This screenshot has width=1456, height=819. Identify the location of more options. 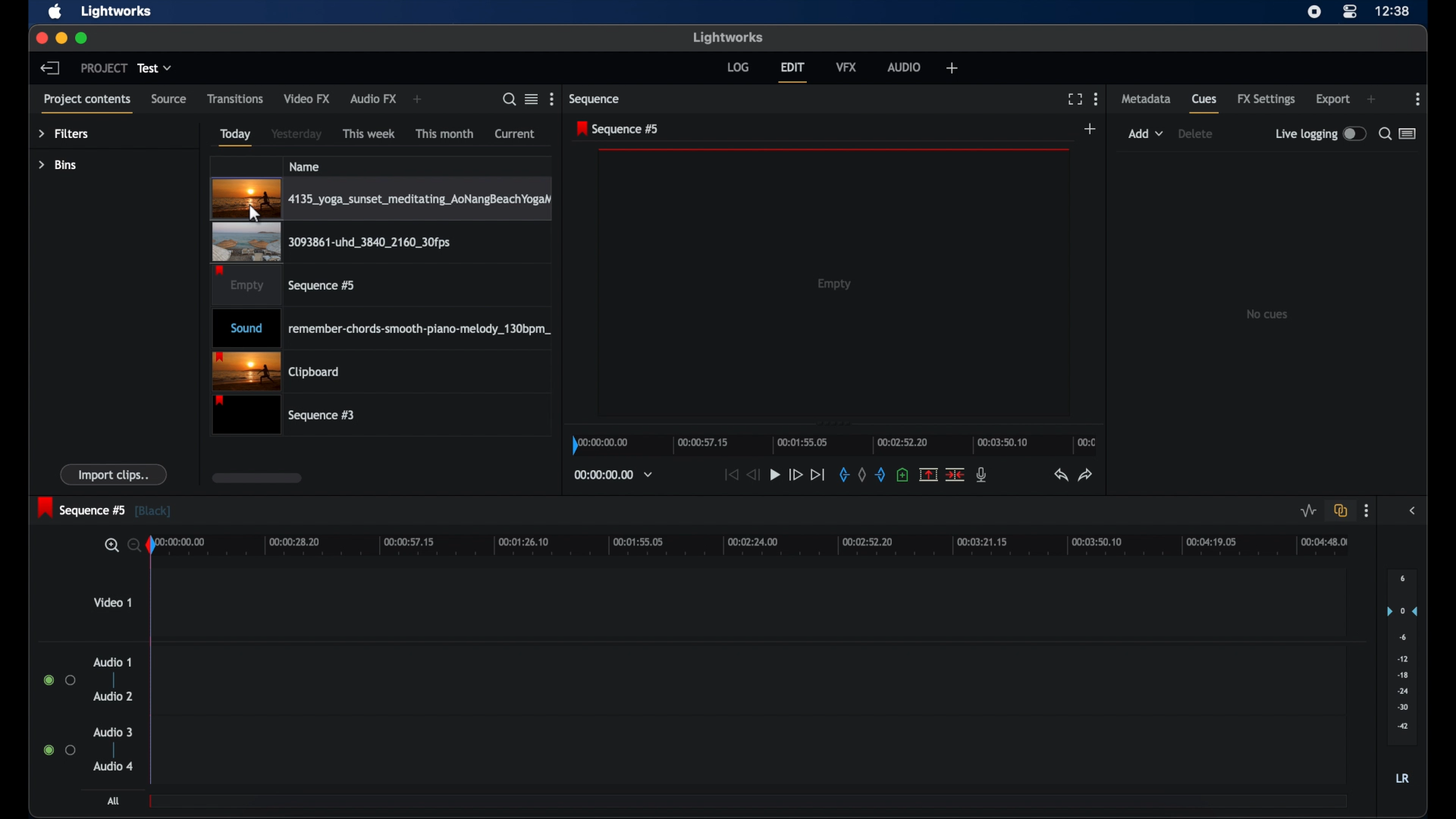
(552, 99).